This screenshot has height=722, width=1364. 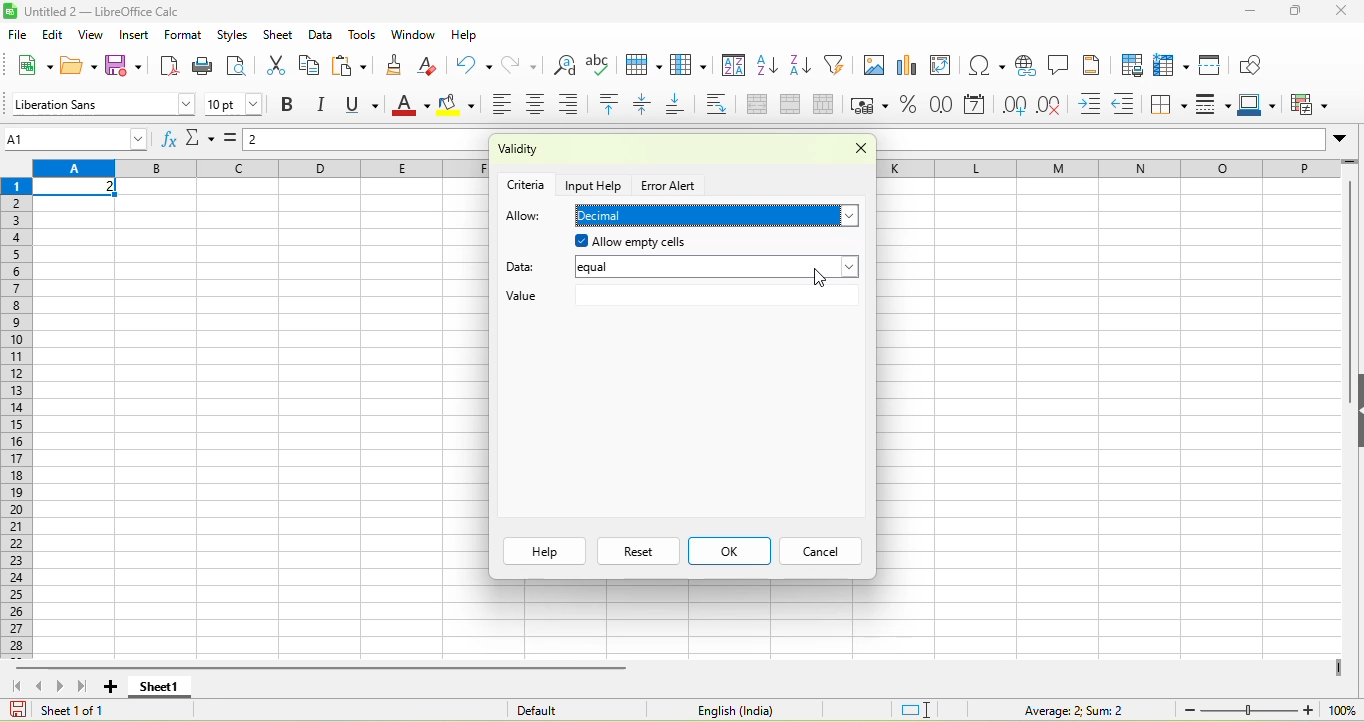 I want to click on more rows, so click(x=1351, y=166).